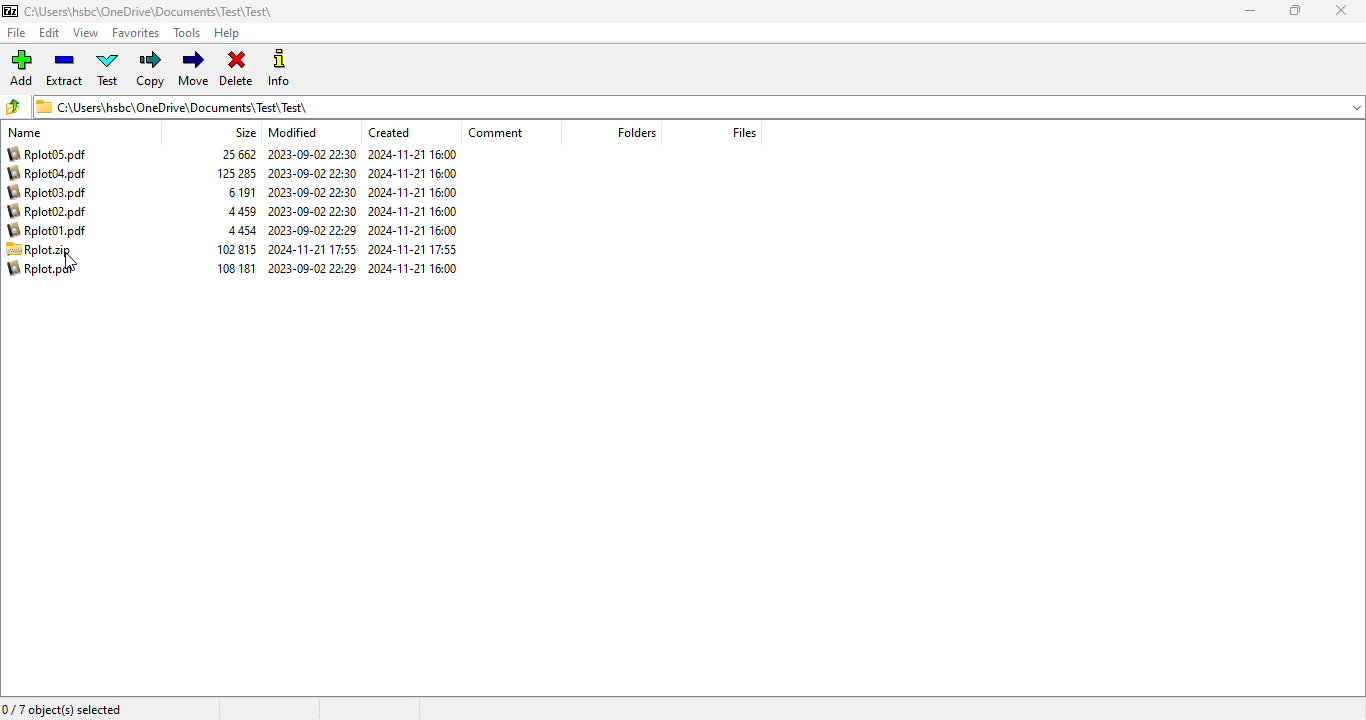 This screenshot has height=720, width=1366. Describe the element at coordinates (31, 134) in the screenshot. I see `name` at that location.